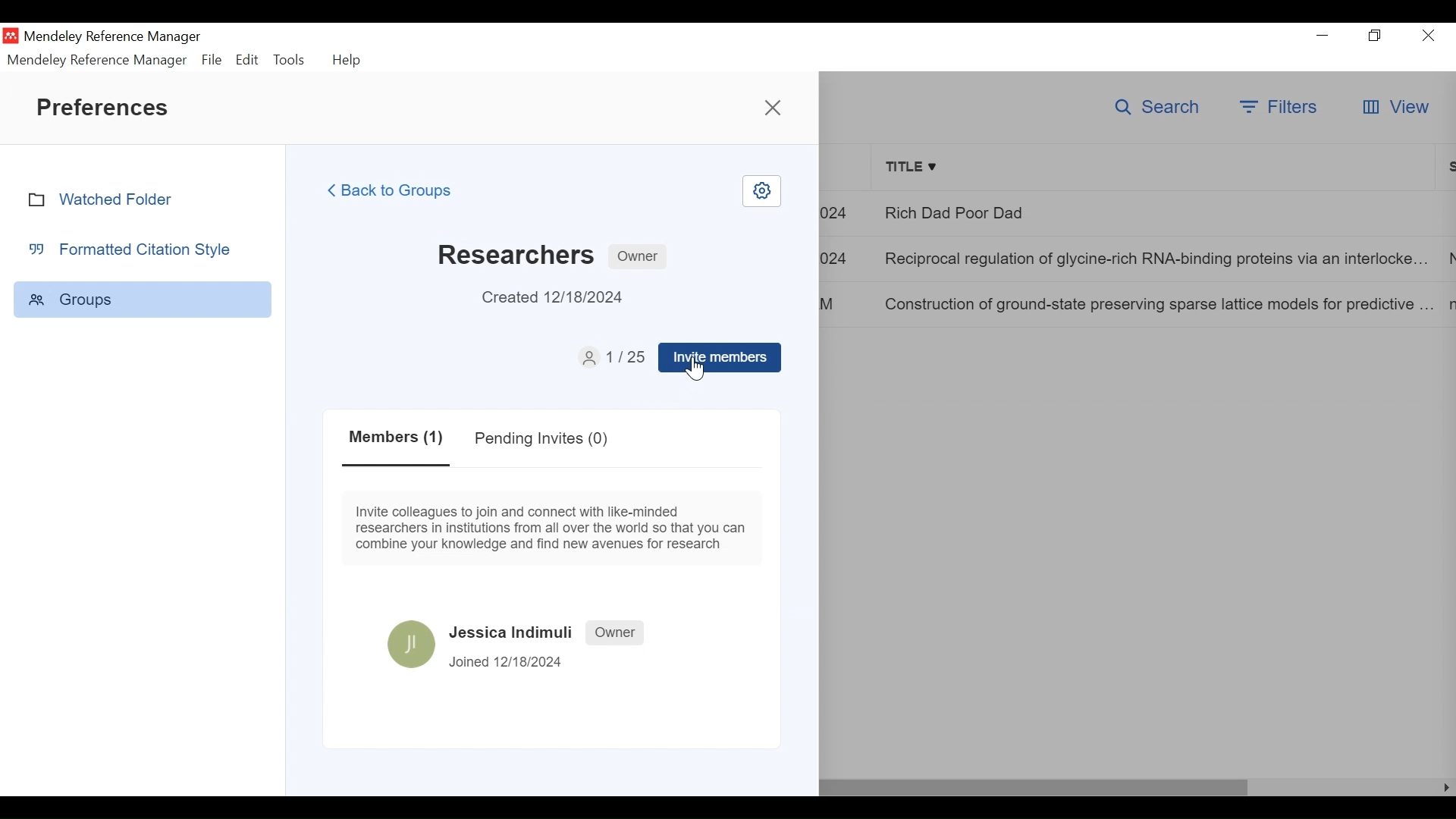 The height and width of the screenshot is (819, 1456). Describe the element at coordinates (397, 441) in the screenshot. I see `Members(1)` at that location.